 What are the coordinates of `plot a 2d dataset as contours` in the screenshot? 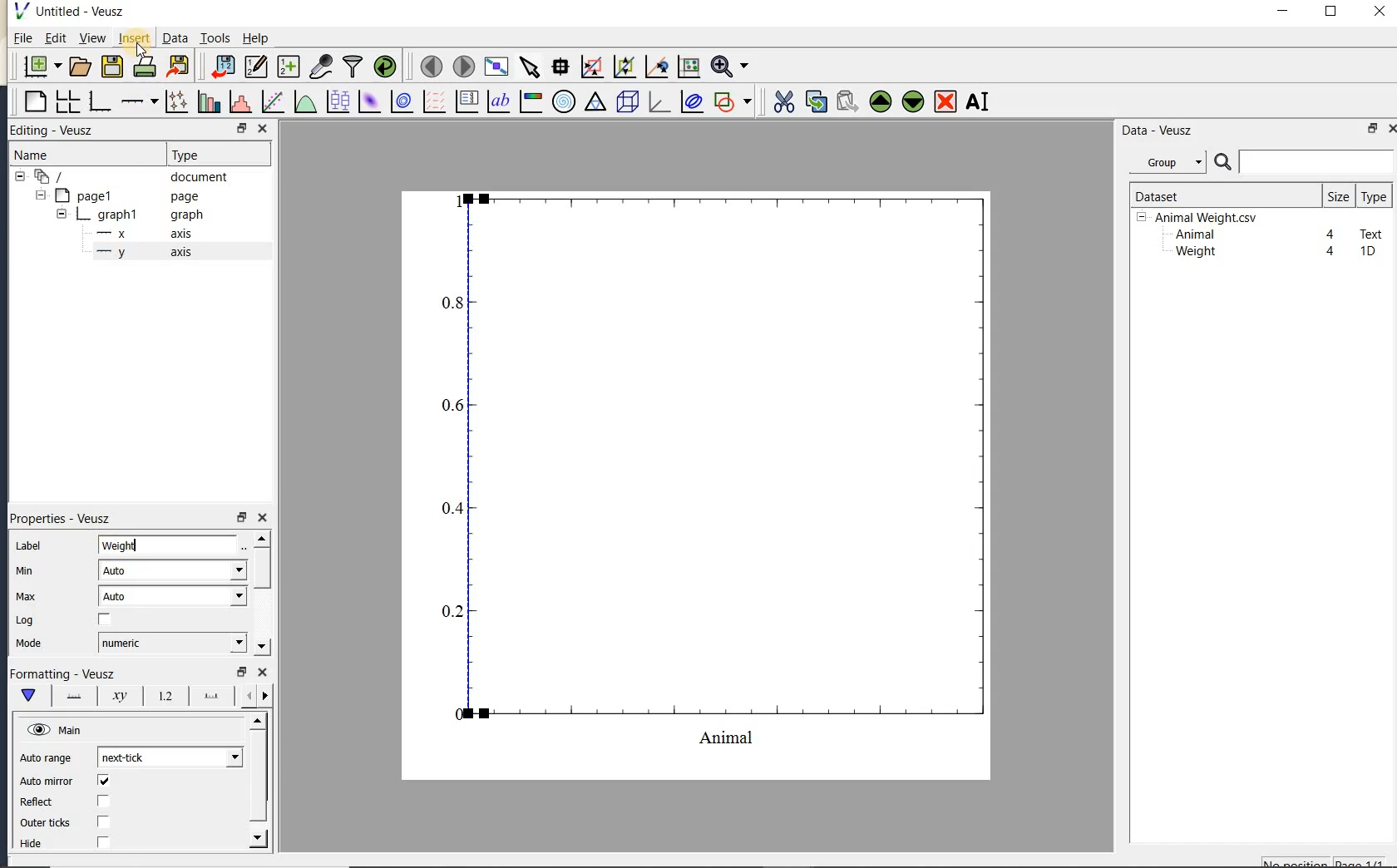 It's located at (400, 101).